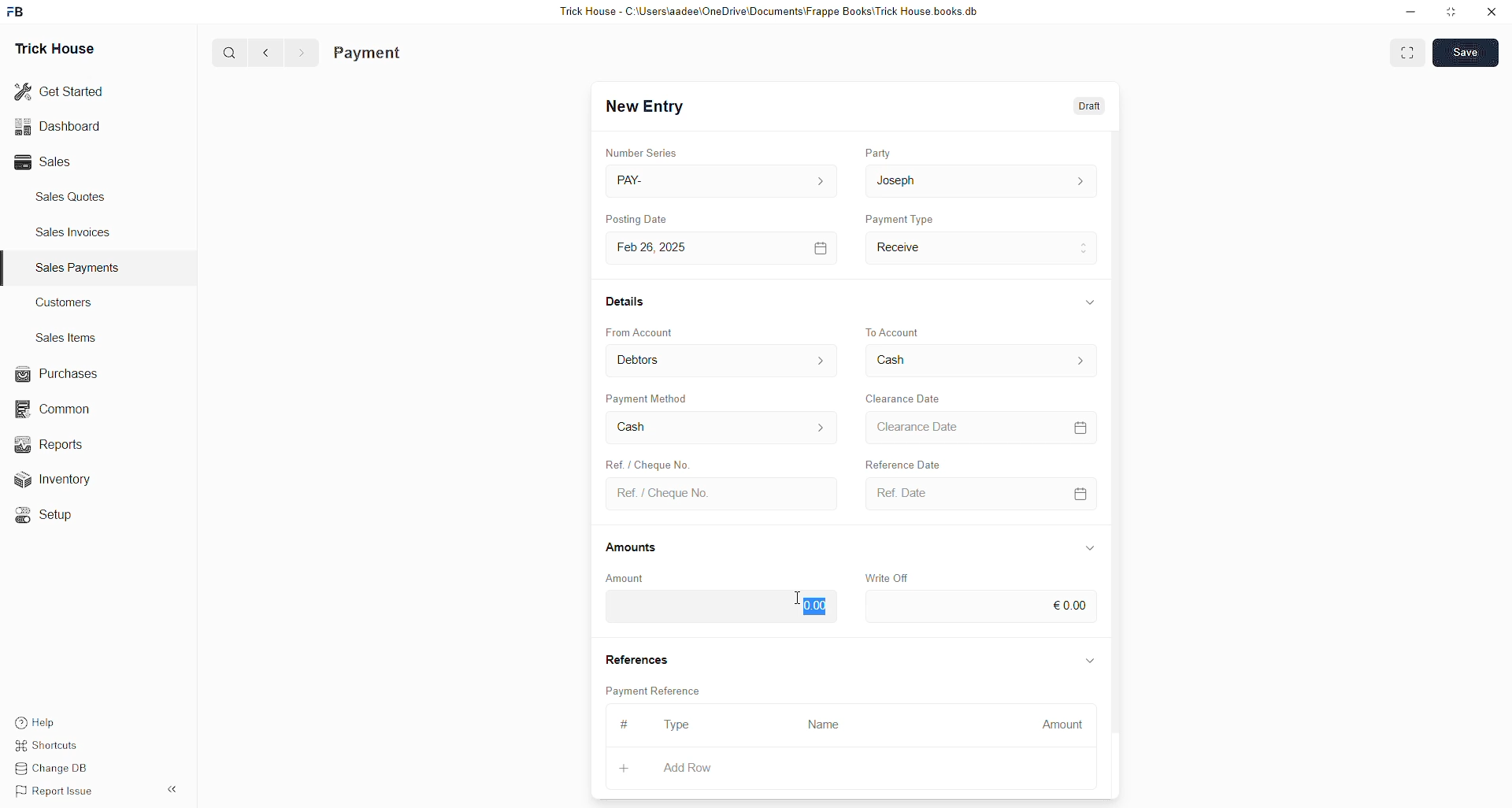  I want to click on 0.00, so click(720, 607).